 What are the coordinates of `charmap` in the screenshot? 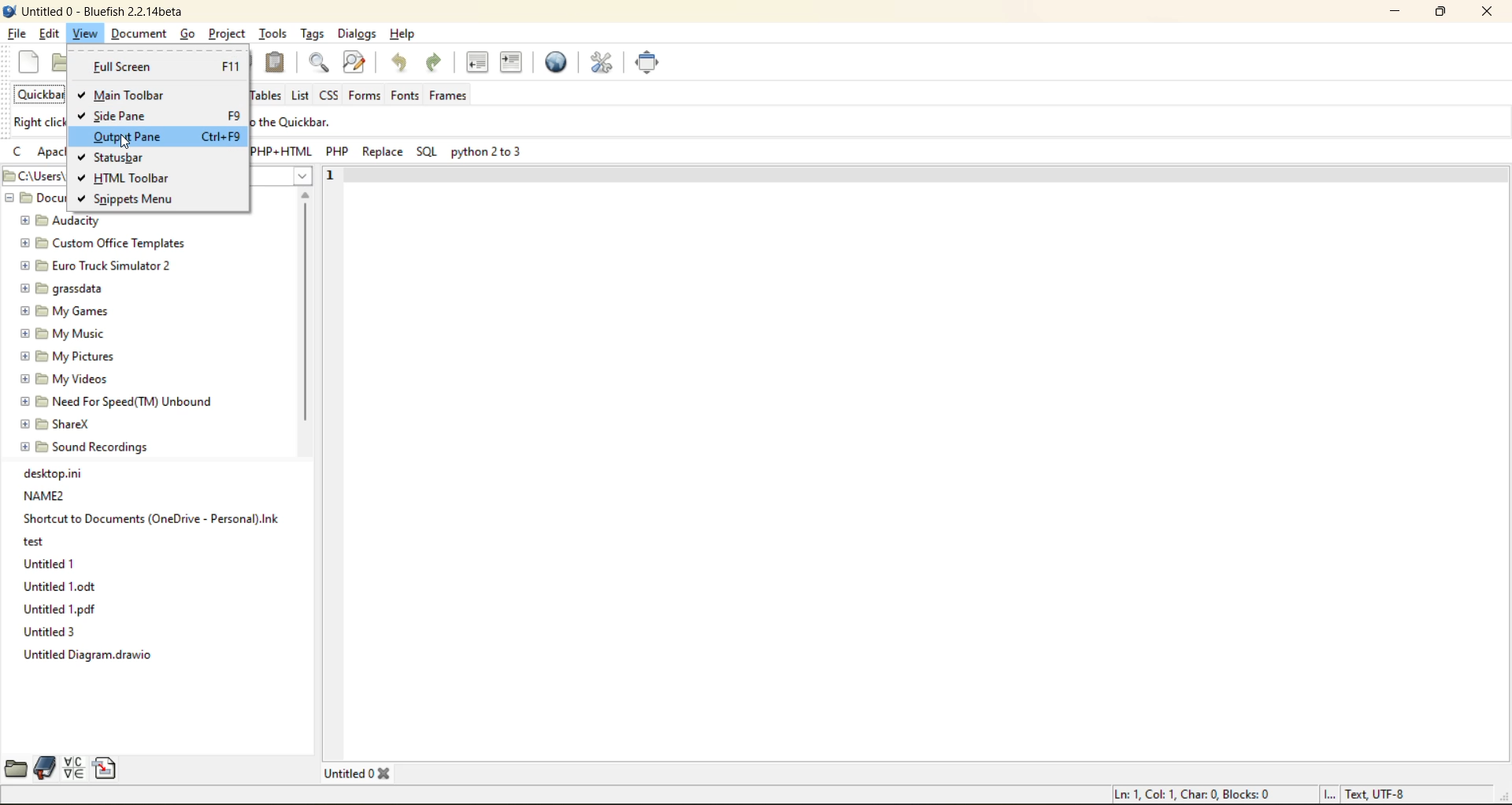 It's located at (75, 768).